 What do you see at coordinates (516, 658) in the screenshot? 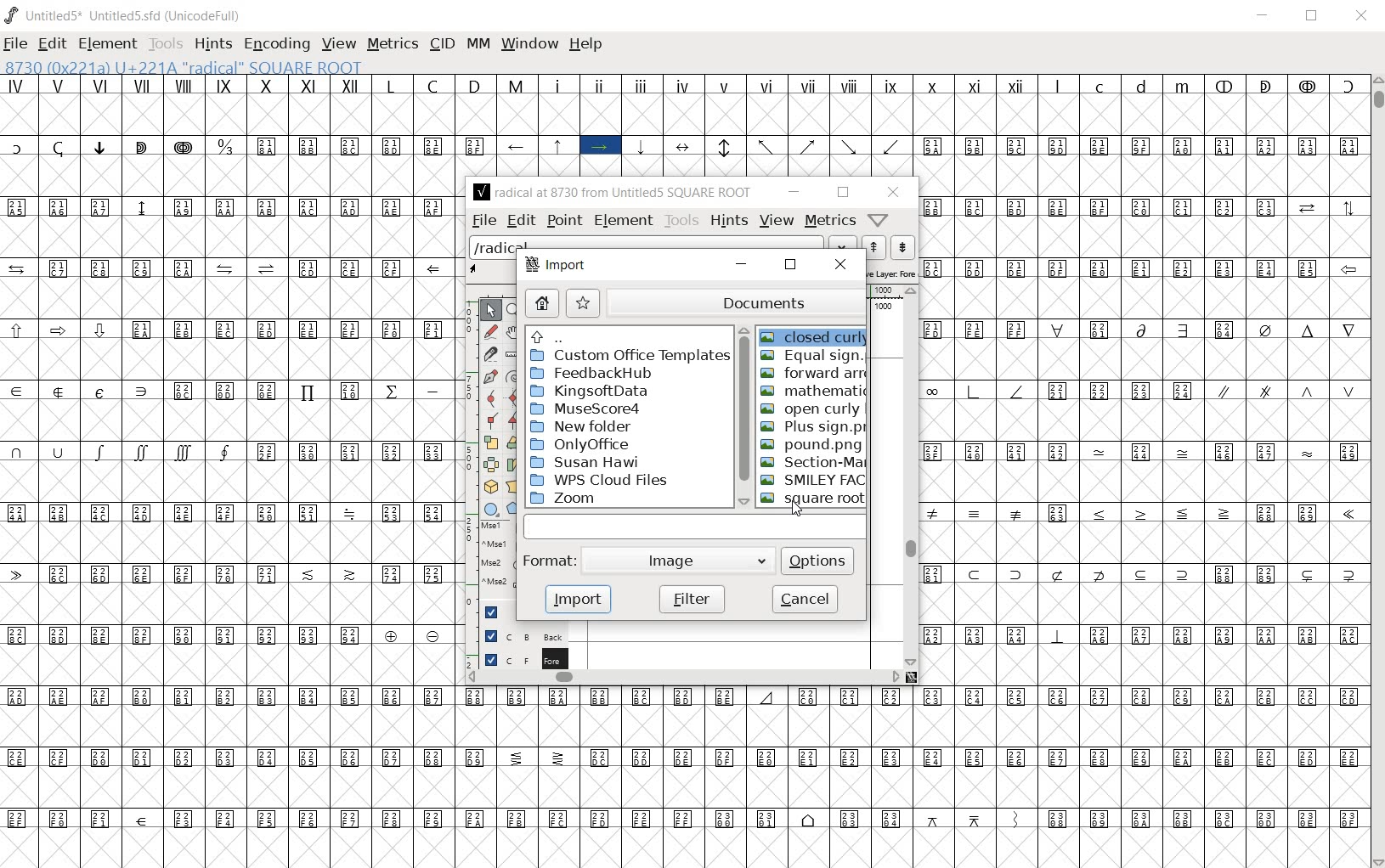
I see `foreground` at bounding box center [516, 658].